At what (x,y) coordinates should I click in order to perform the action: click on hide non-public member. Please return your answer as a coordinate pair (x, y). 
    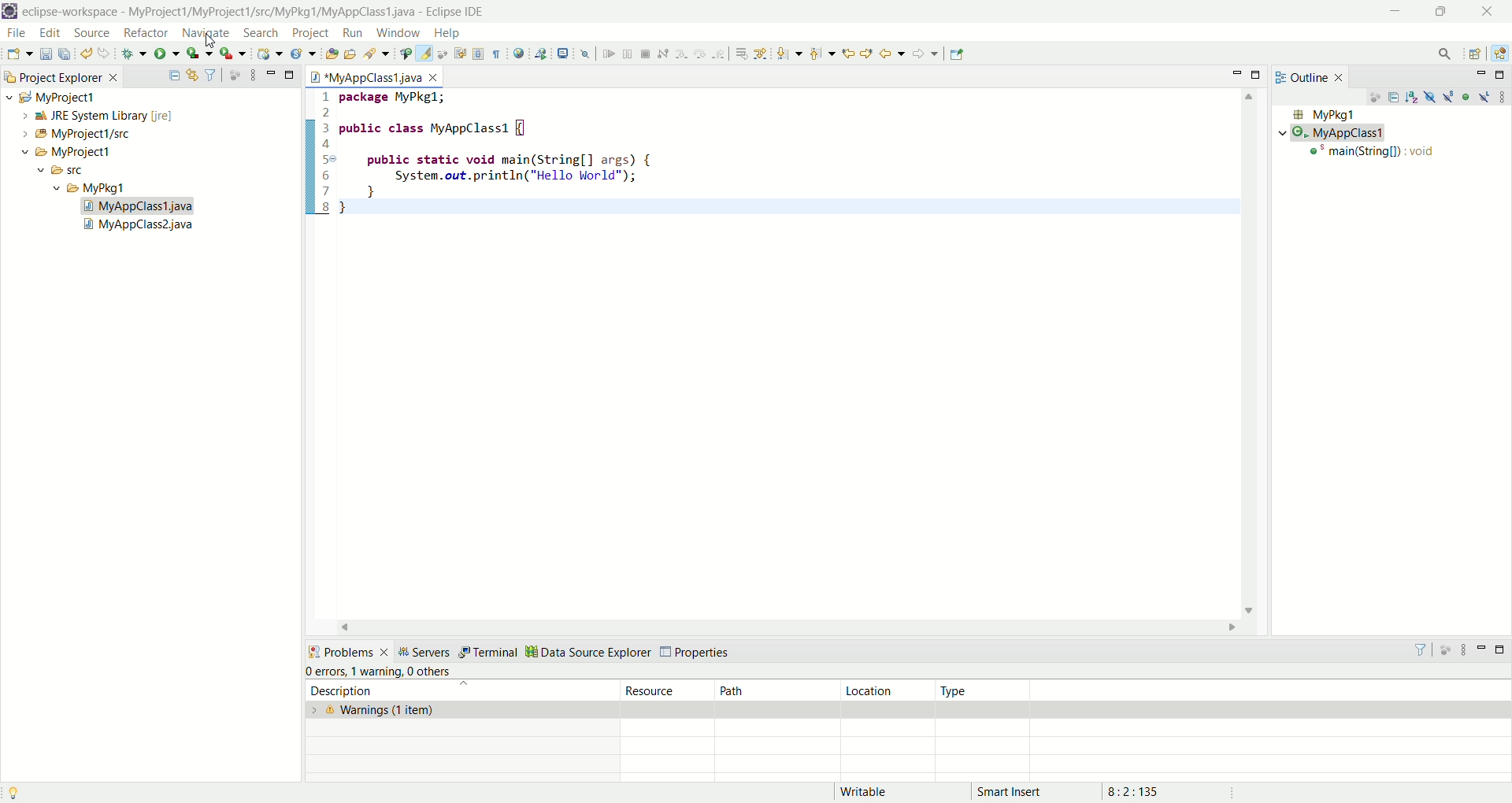
    Looking at the image, I should click on (1467, 96).